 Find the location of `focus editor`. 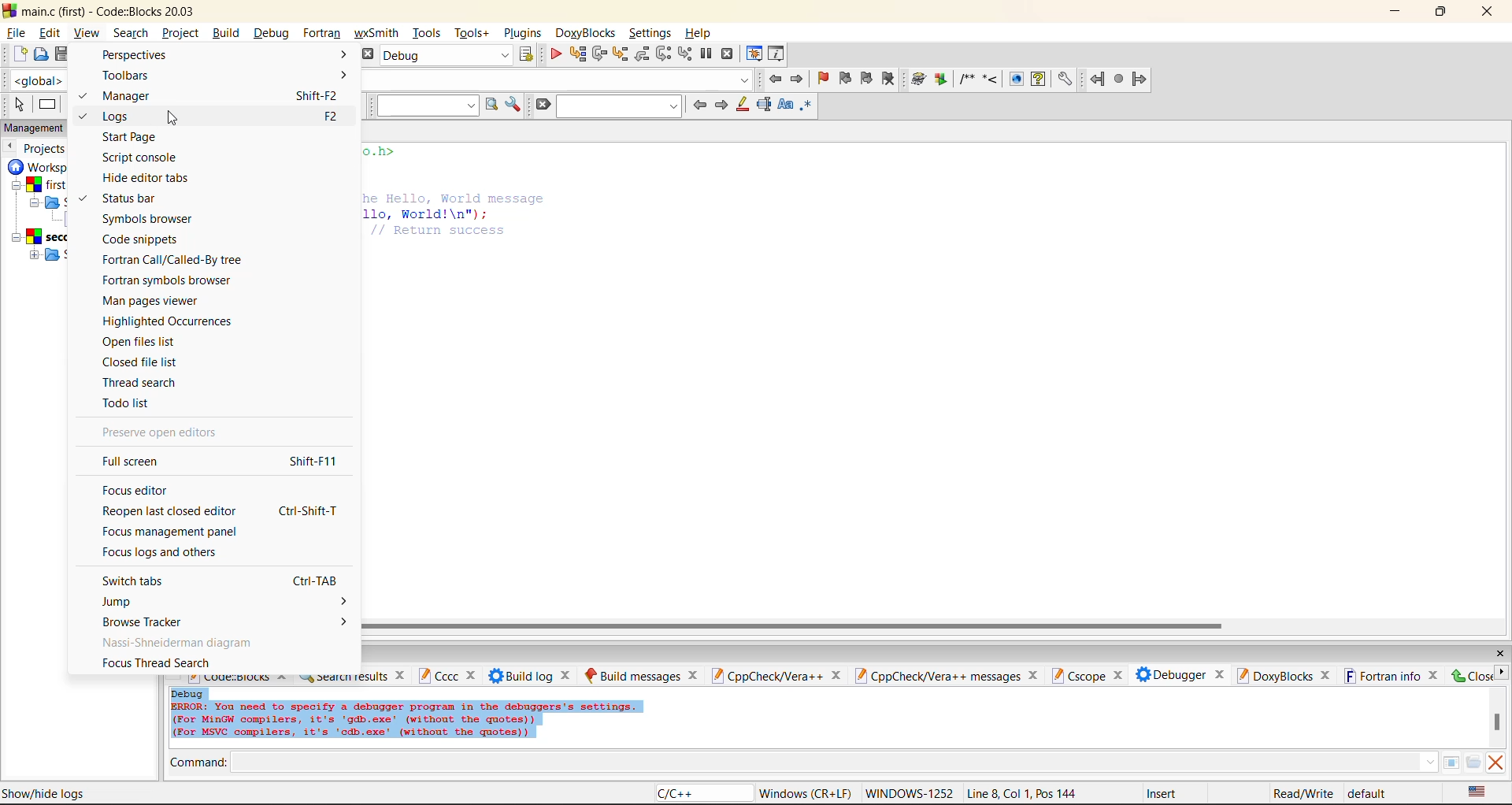

focus editor is located at coordinates (133, 492).